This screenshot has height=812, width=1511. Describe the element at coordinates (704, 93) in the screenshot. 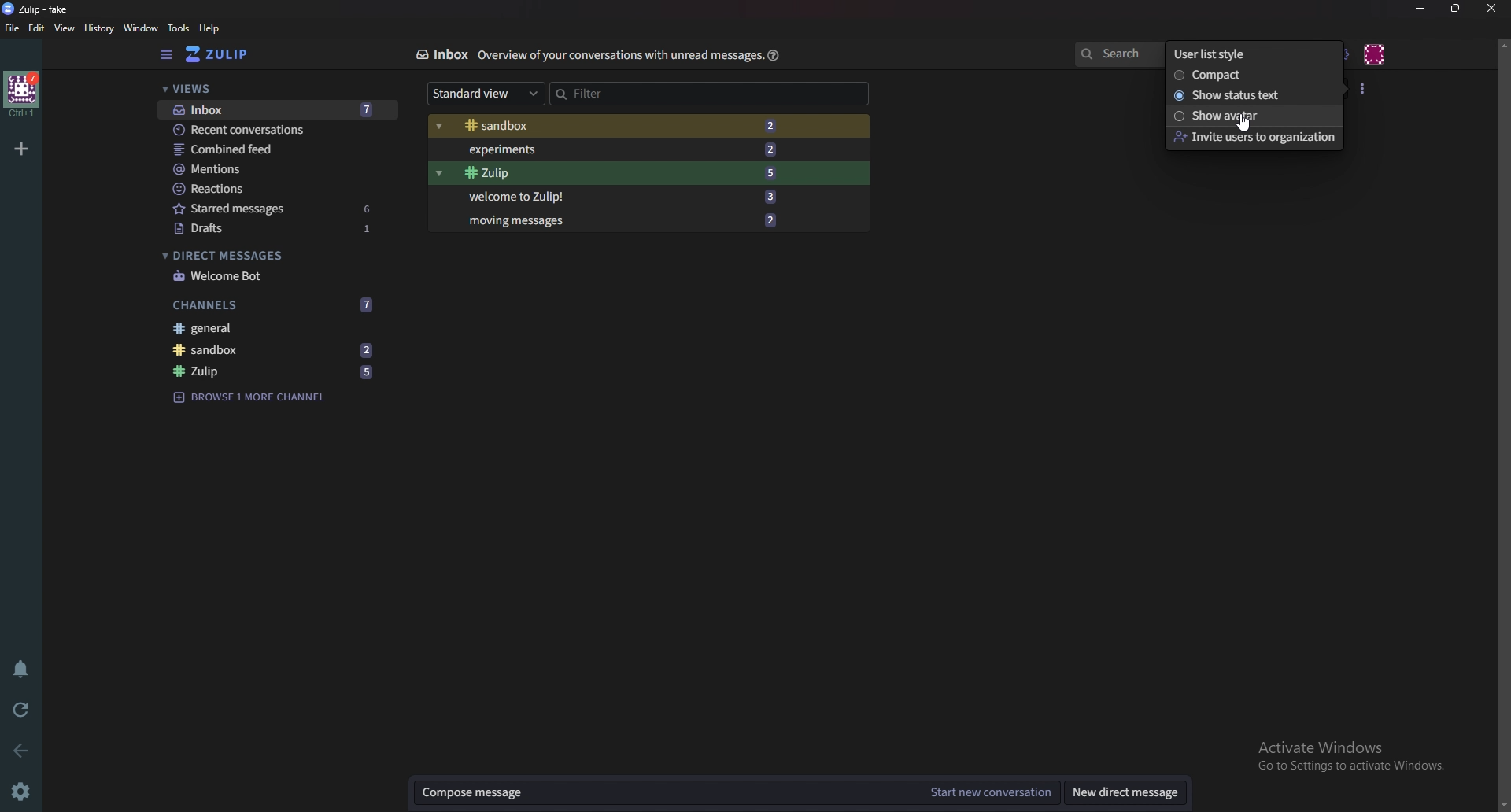

I see `Filter` at that location.